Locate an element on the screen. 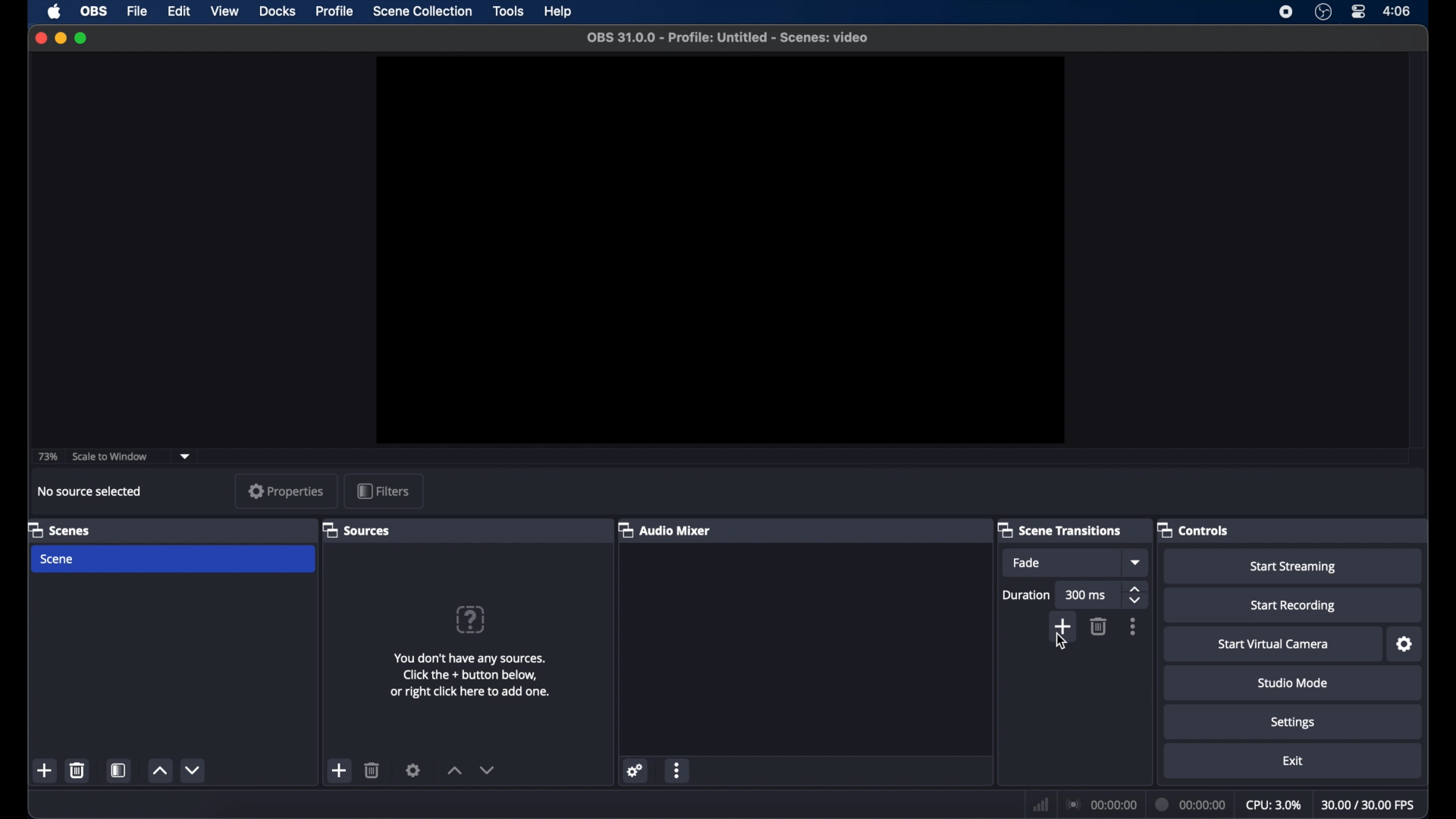 This screenshot has height=819, width=1456. question mark icon is located at coordinates (472, 620).